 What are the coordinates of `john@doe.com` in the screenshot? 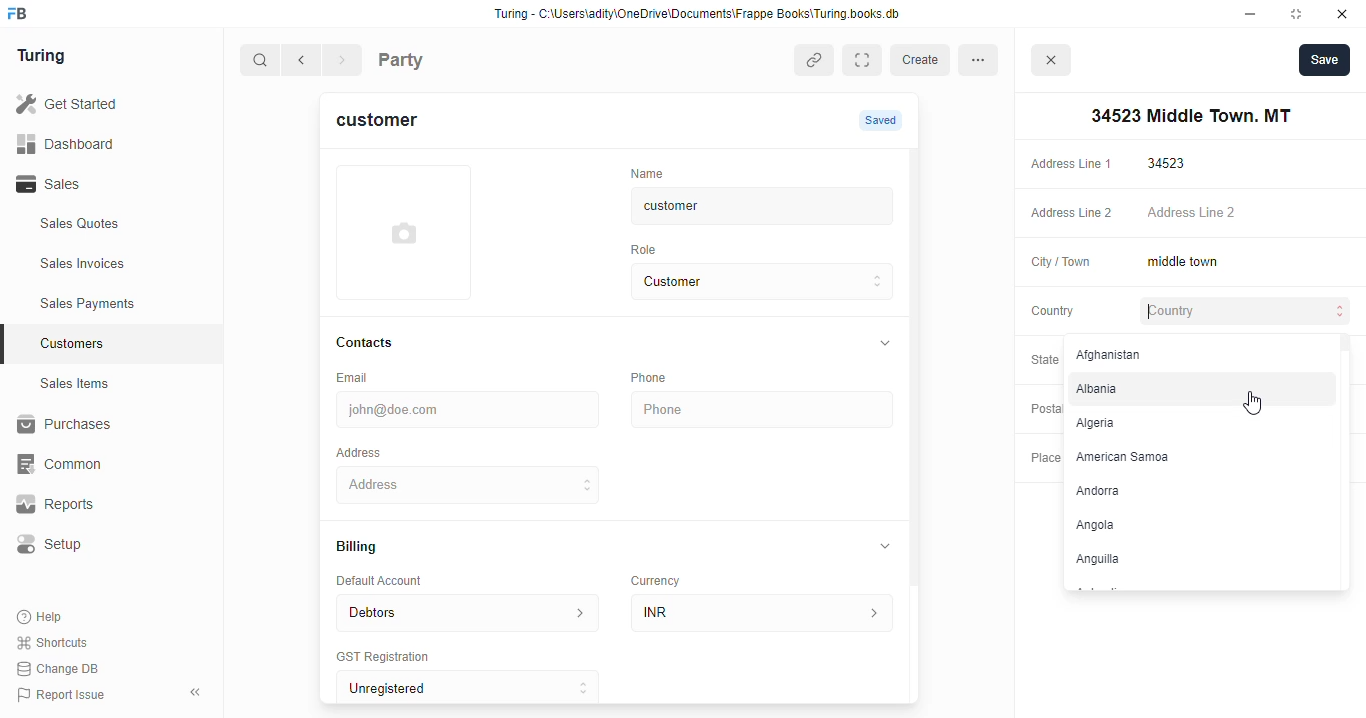 It's located at (471, 407).